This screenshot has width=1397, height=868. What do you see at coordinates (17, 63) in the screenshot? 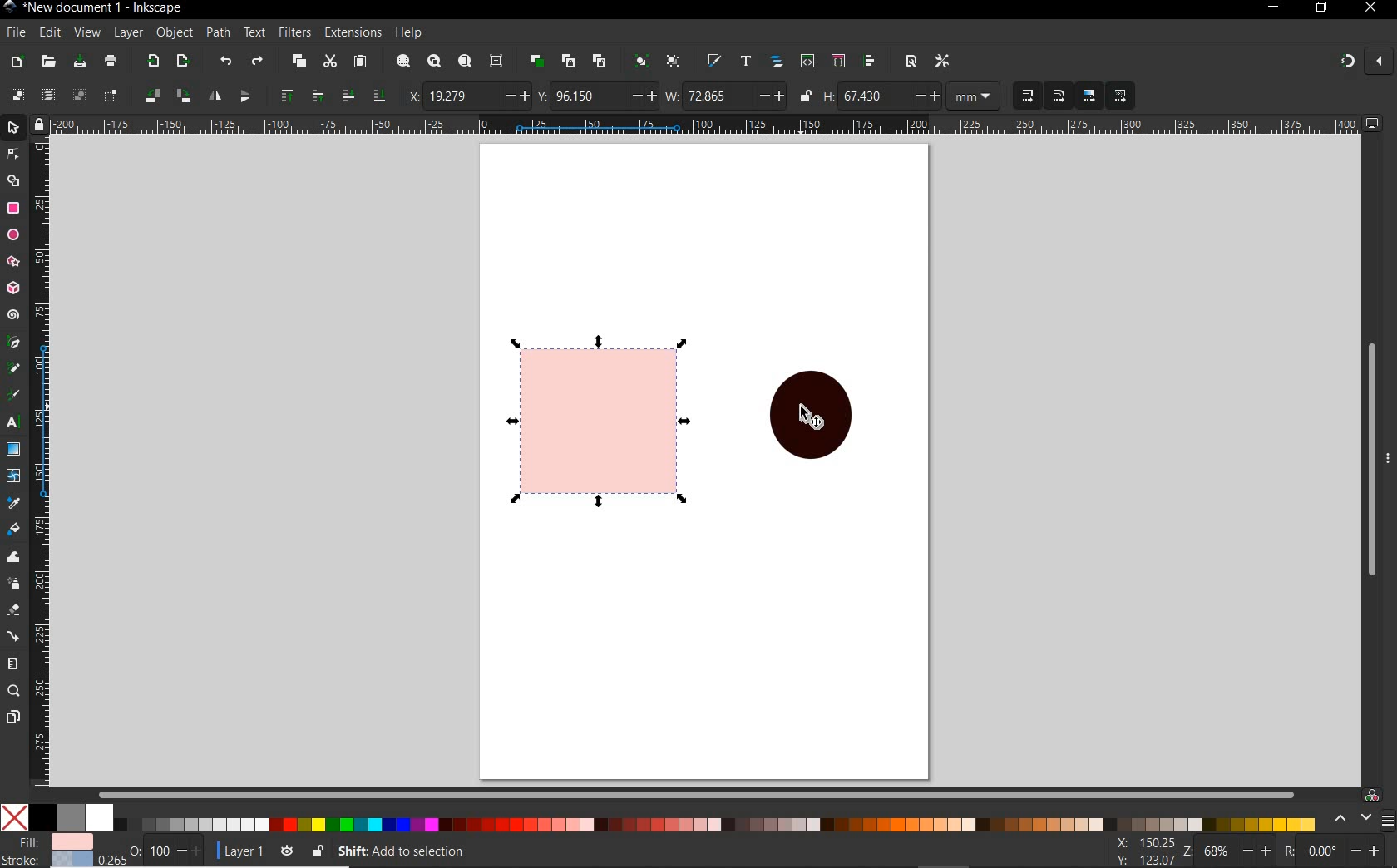
I see `new` at bounding box center [17, 63].